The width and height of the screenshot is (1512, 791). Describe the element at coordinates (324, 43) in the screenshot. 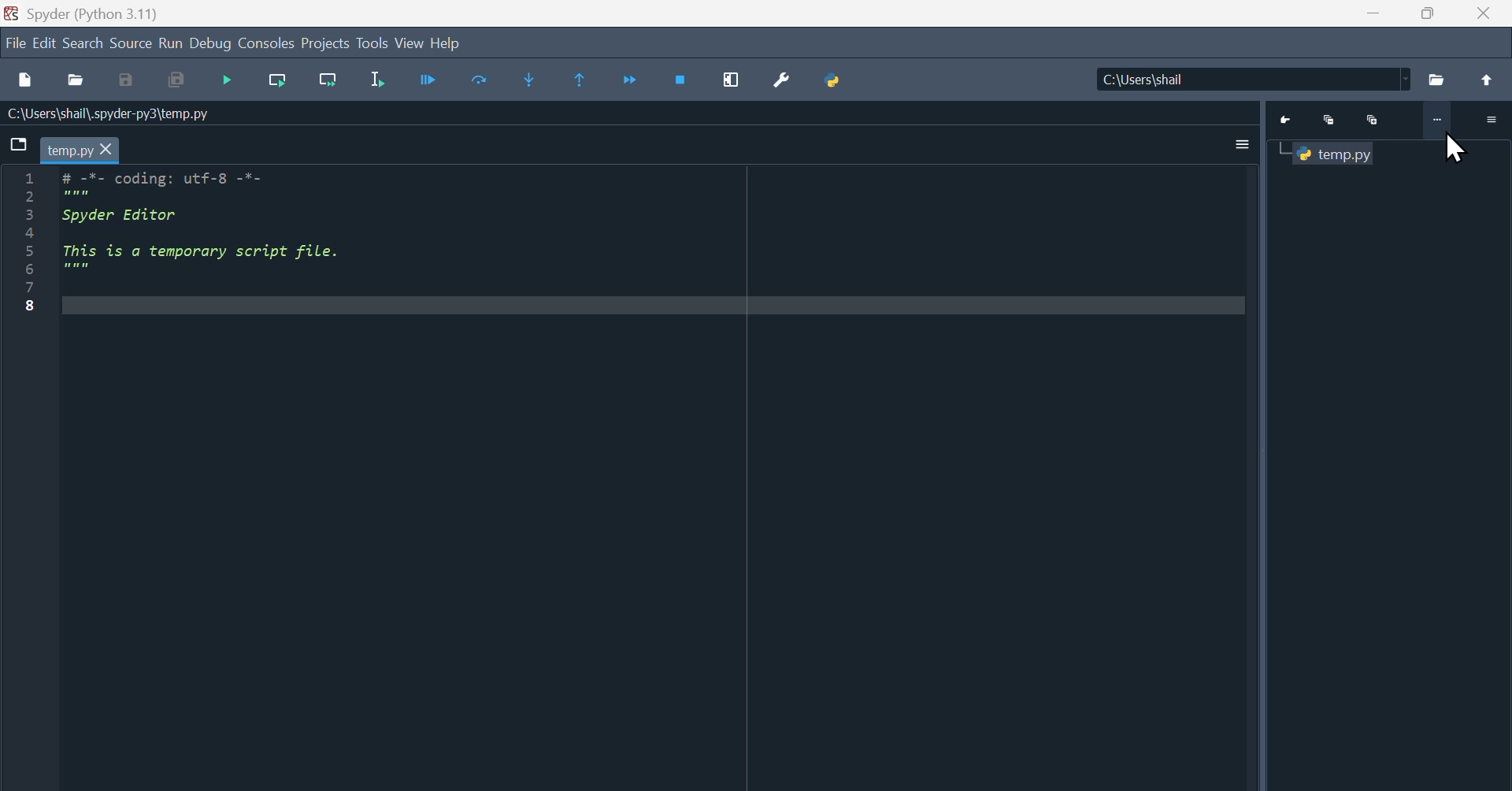

I see `Projects` at that location.